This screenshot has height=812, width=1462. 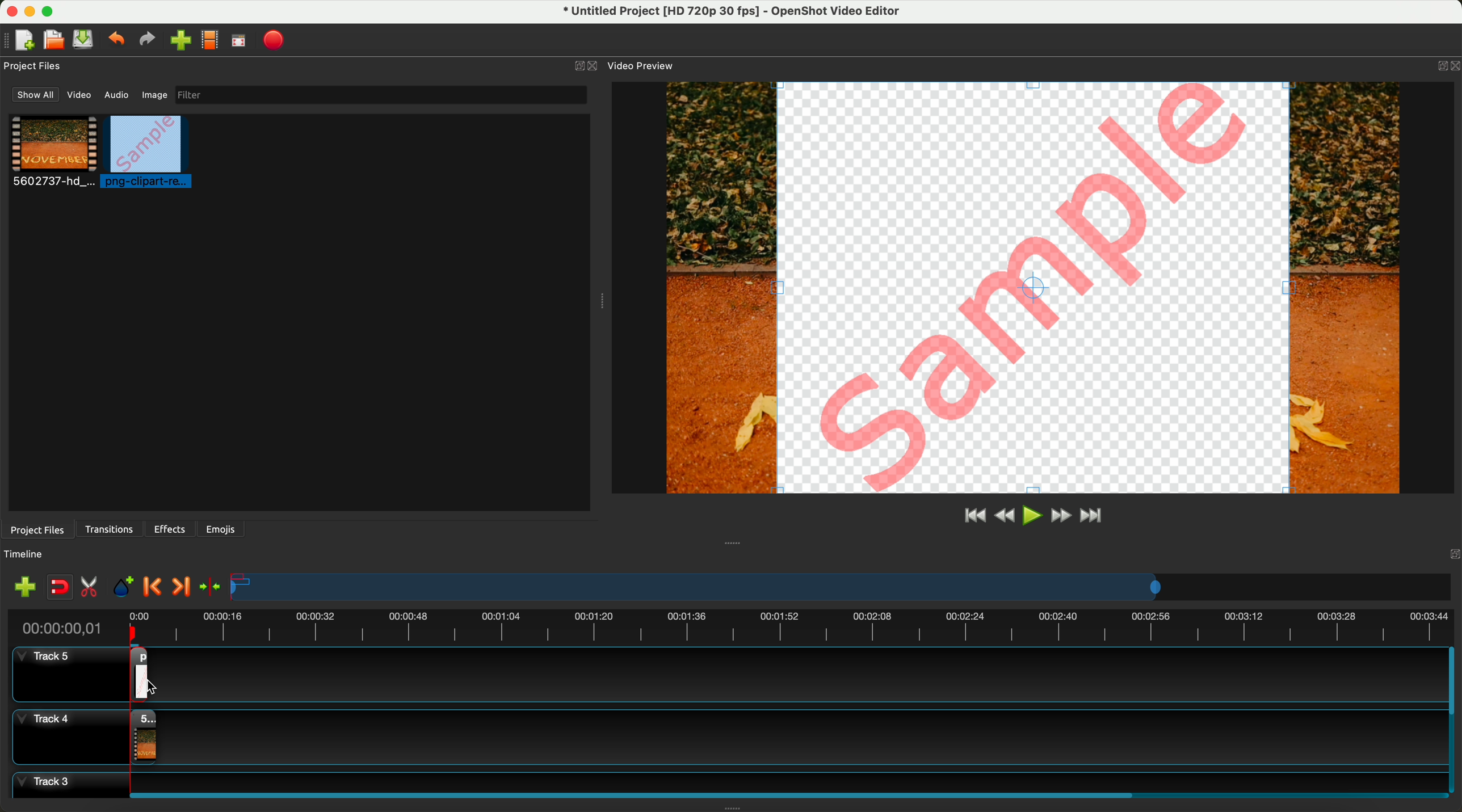 I want to click on scroll bar, so click(x=783, y=793).